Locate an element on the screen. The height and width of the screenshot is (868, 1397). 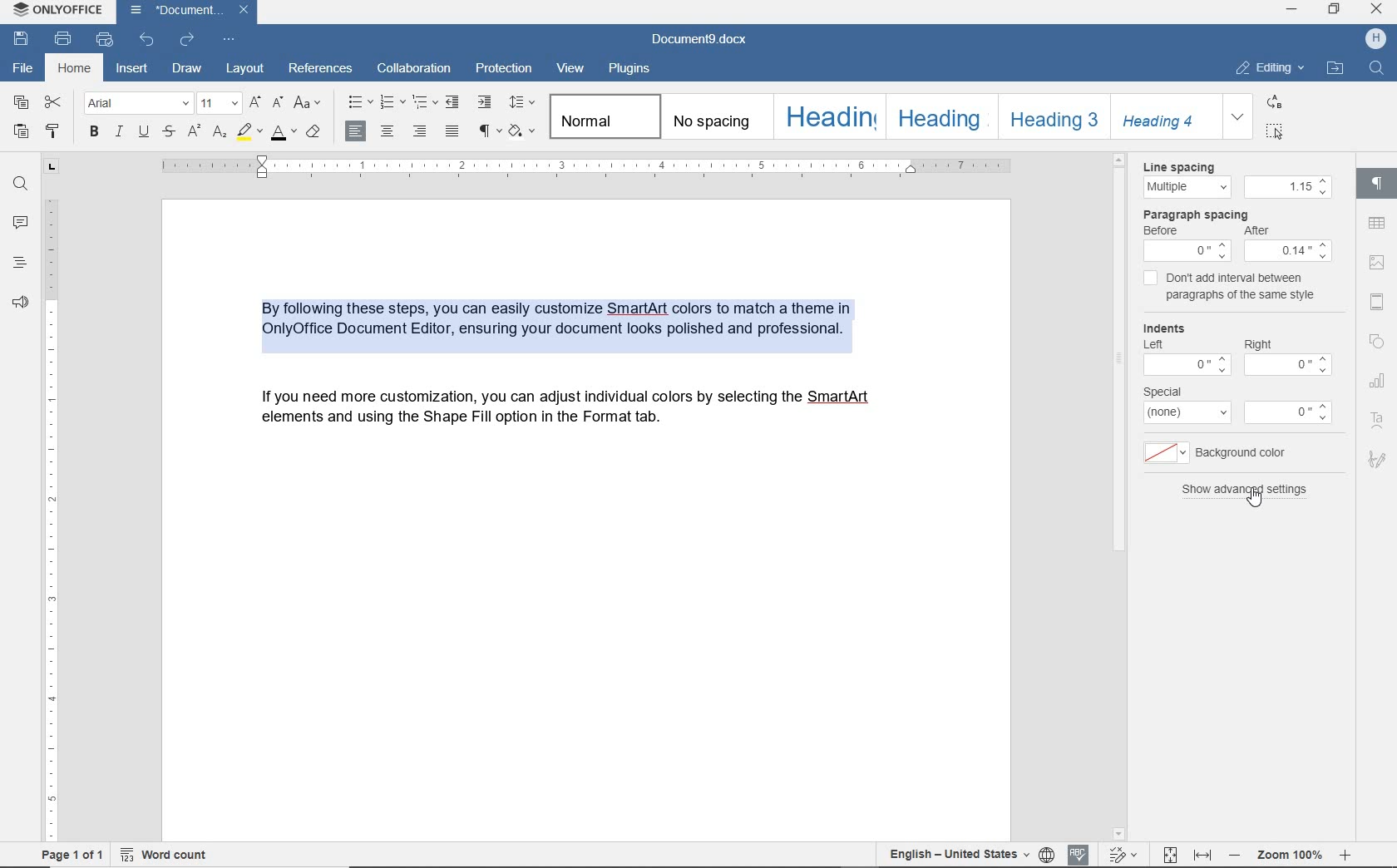
numbering is located at coordinates (388, 100).